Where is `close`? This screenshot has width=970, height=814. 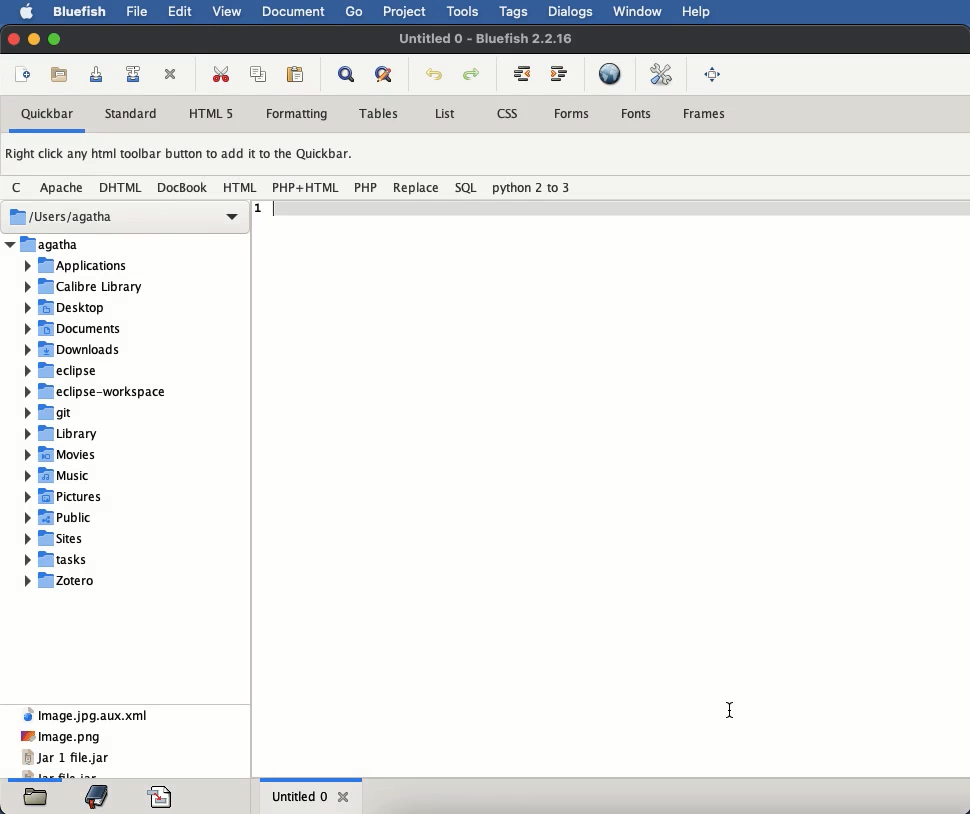 close is located at coordinates (12, 40).